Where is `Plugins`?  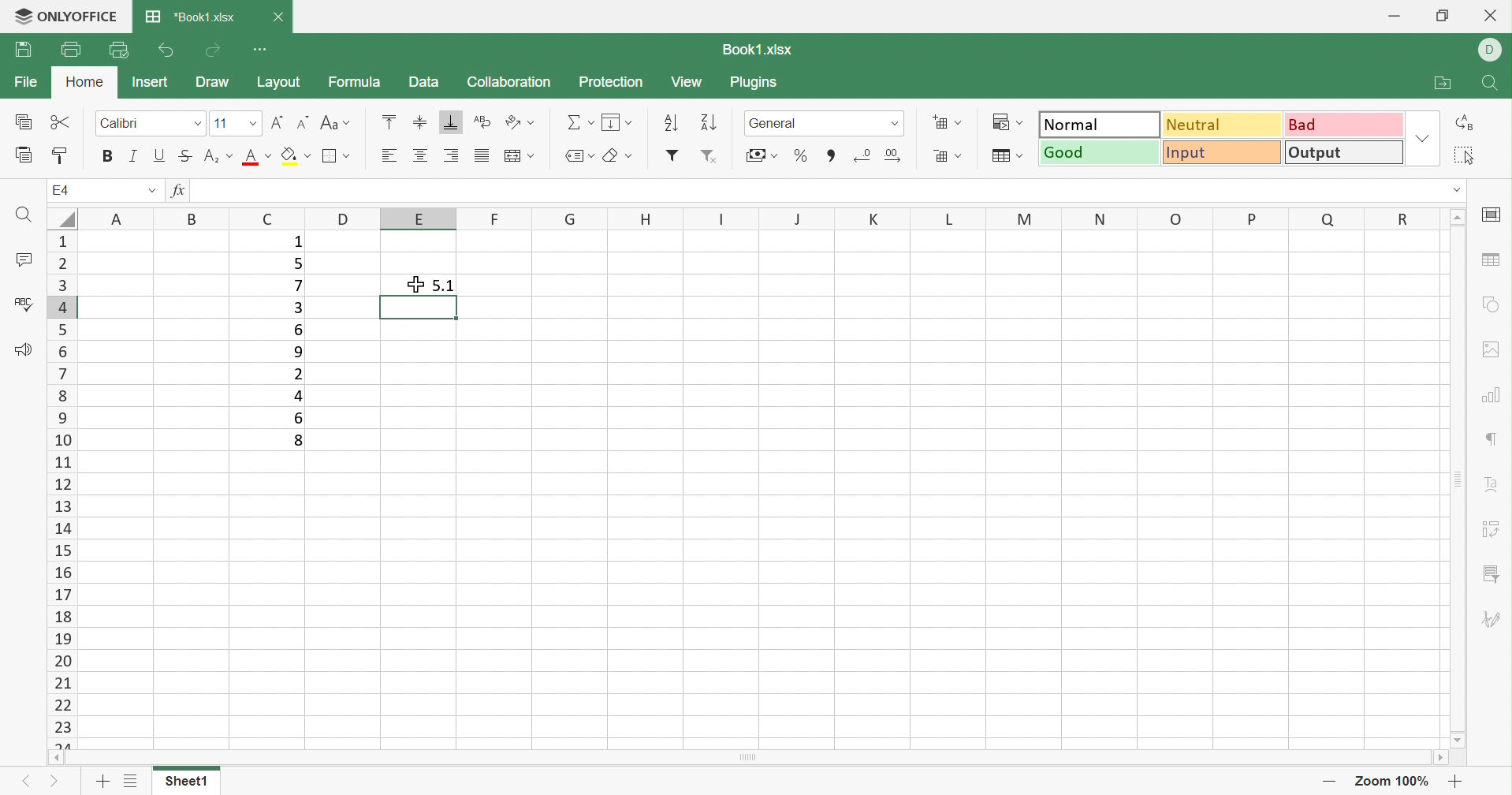
Plugins is located at coordinates (754, 84).